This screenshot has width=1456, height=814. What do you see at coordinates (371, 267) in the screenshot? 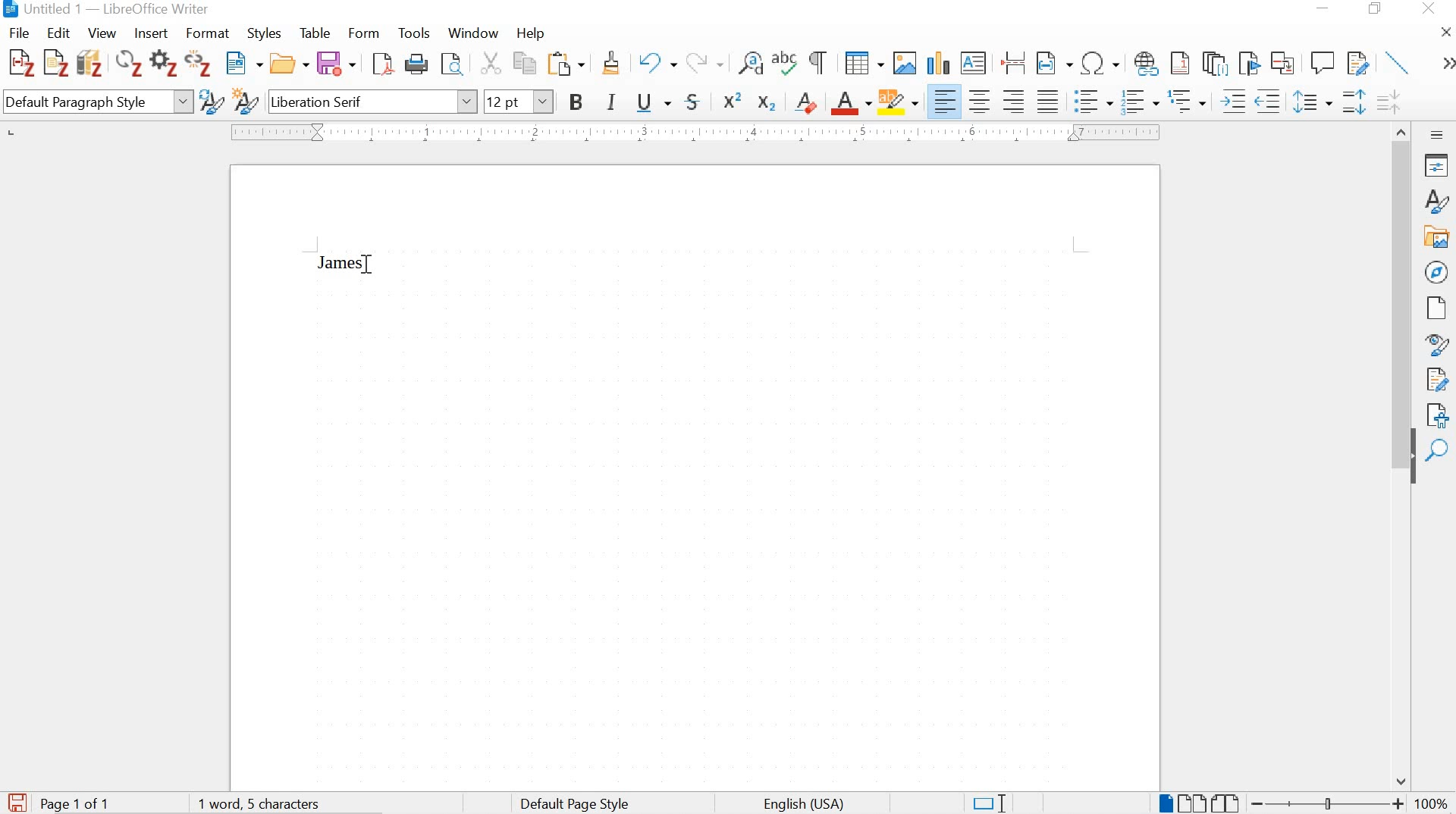
I see `cursor` at bounding box center [371, 267].